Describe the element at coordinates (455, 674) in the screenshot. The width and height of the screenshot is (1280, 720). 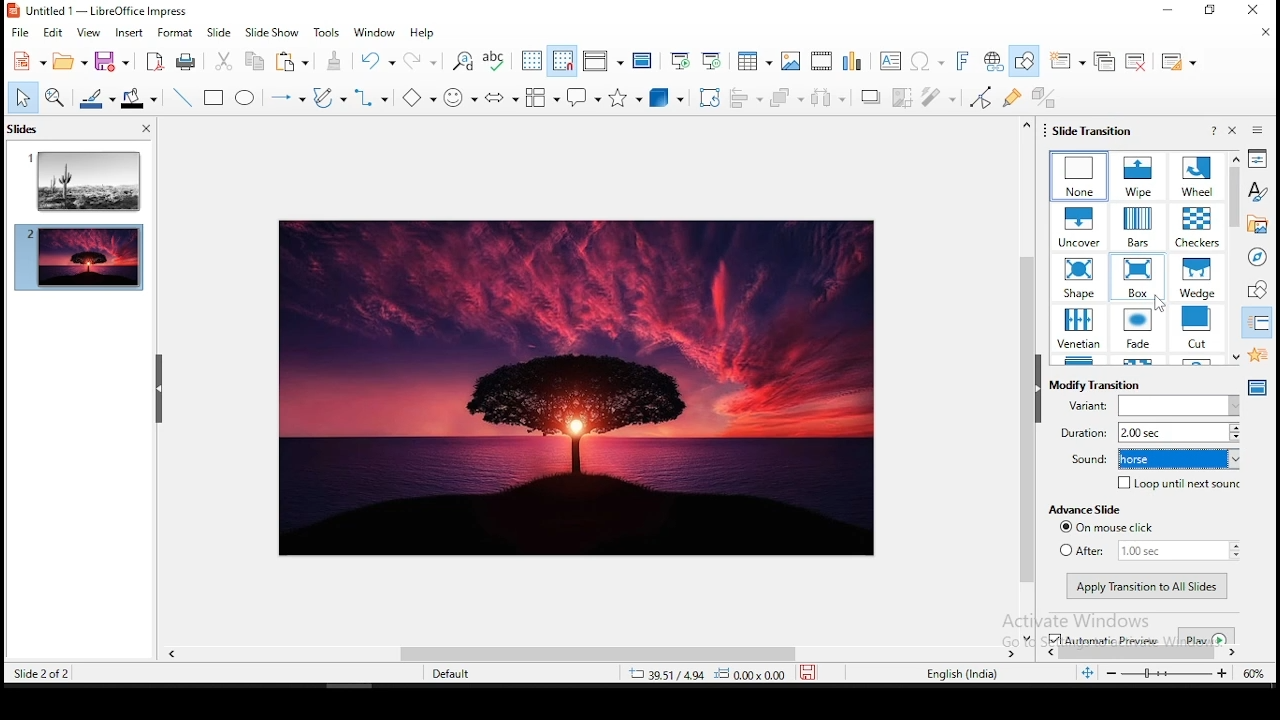
I see `default` at that location.